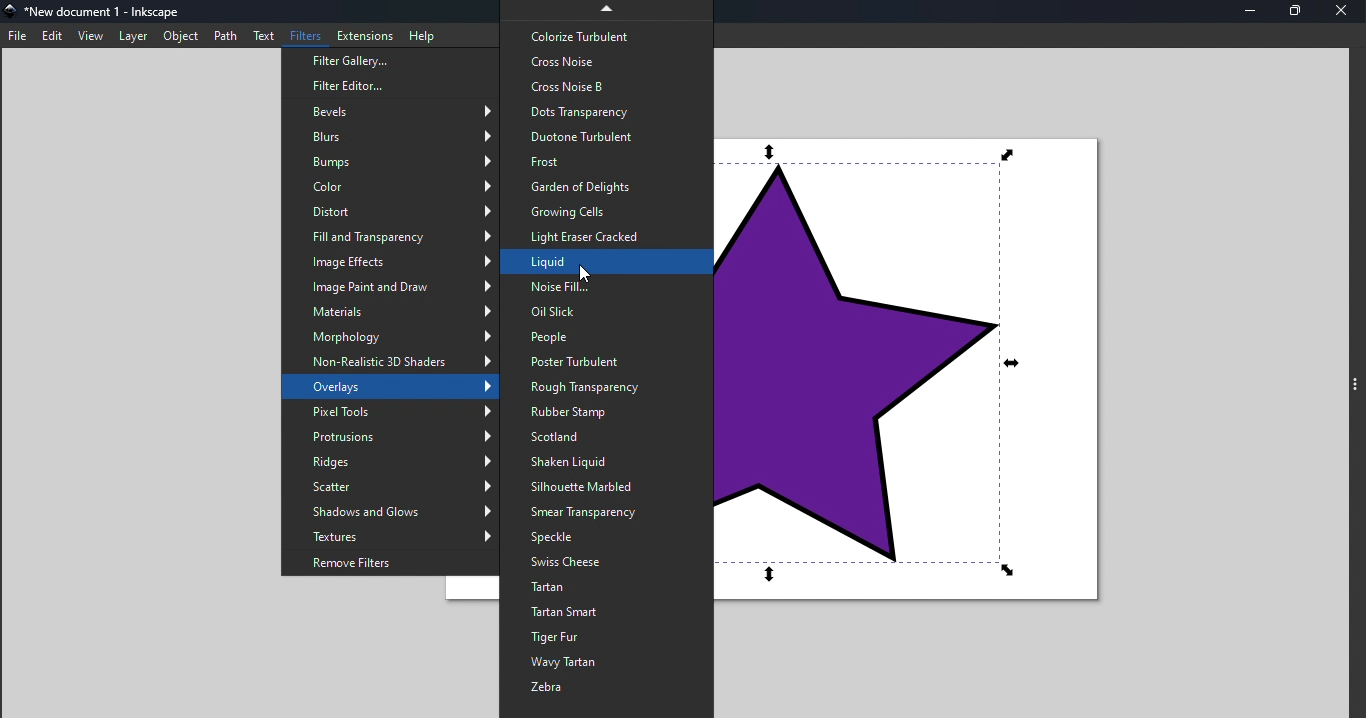 The height and width of the screenshot is (718, 1366). I want to click on Dots transparency, so click(604, 111).